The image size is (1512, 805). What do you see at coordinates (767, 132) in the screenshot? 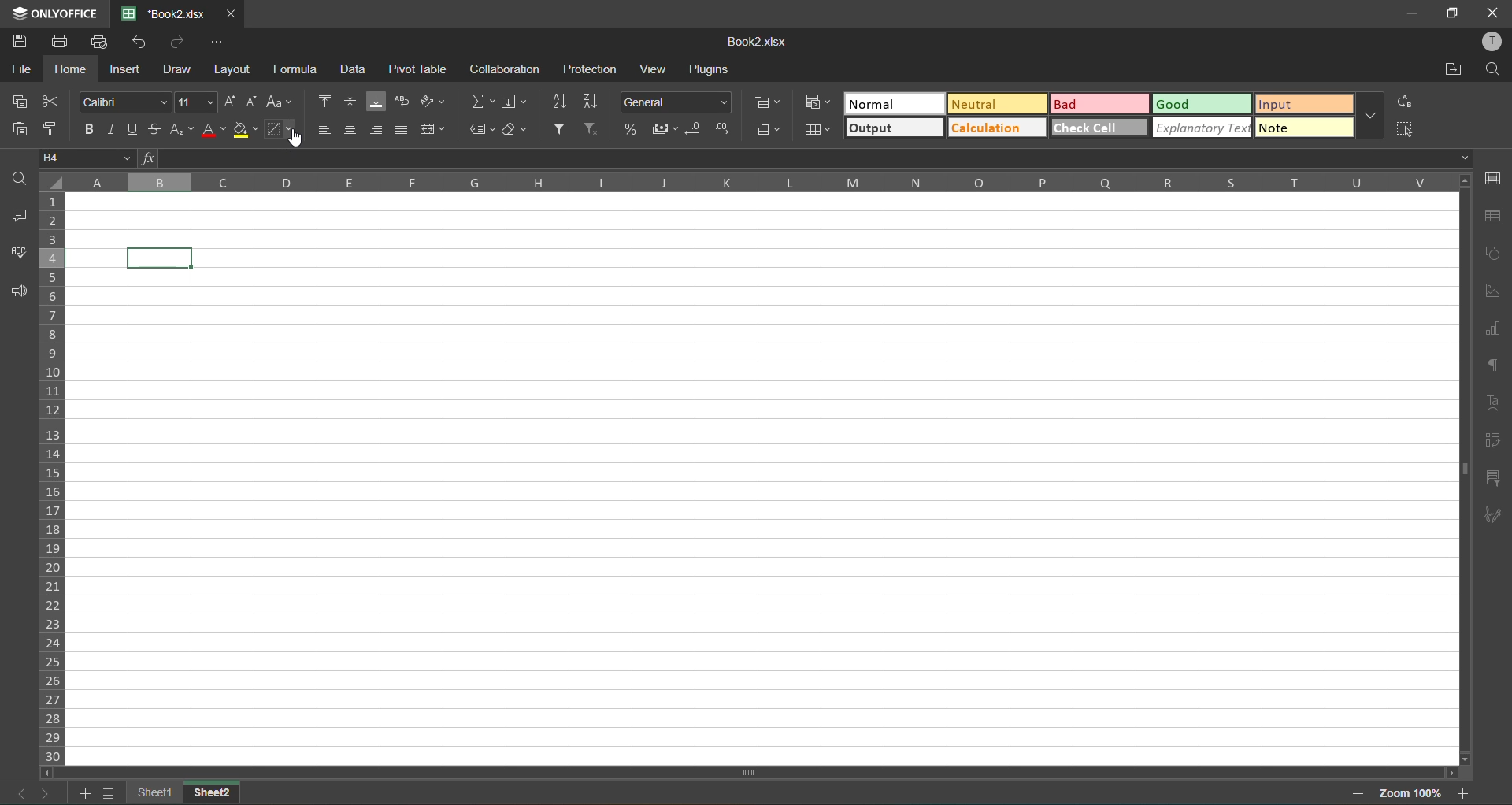
I see `delete cells` at bounding box center [767, 132].